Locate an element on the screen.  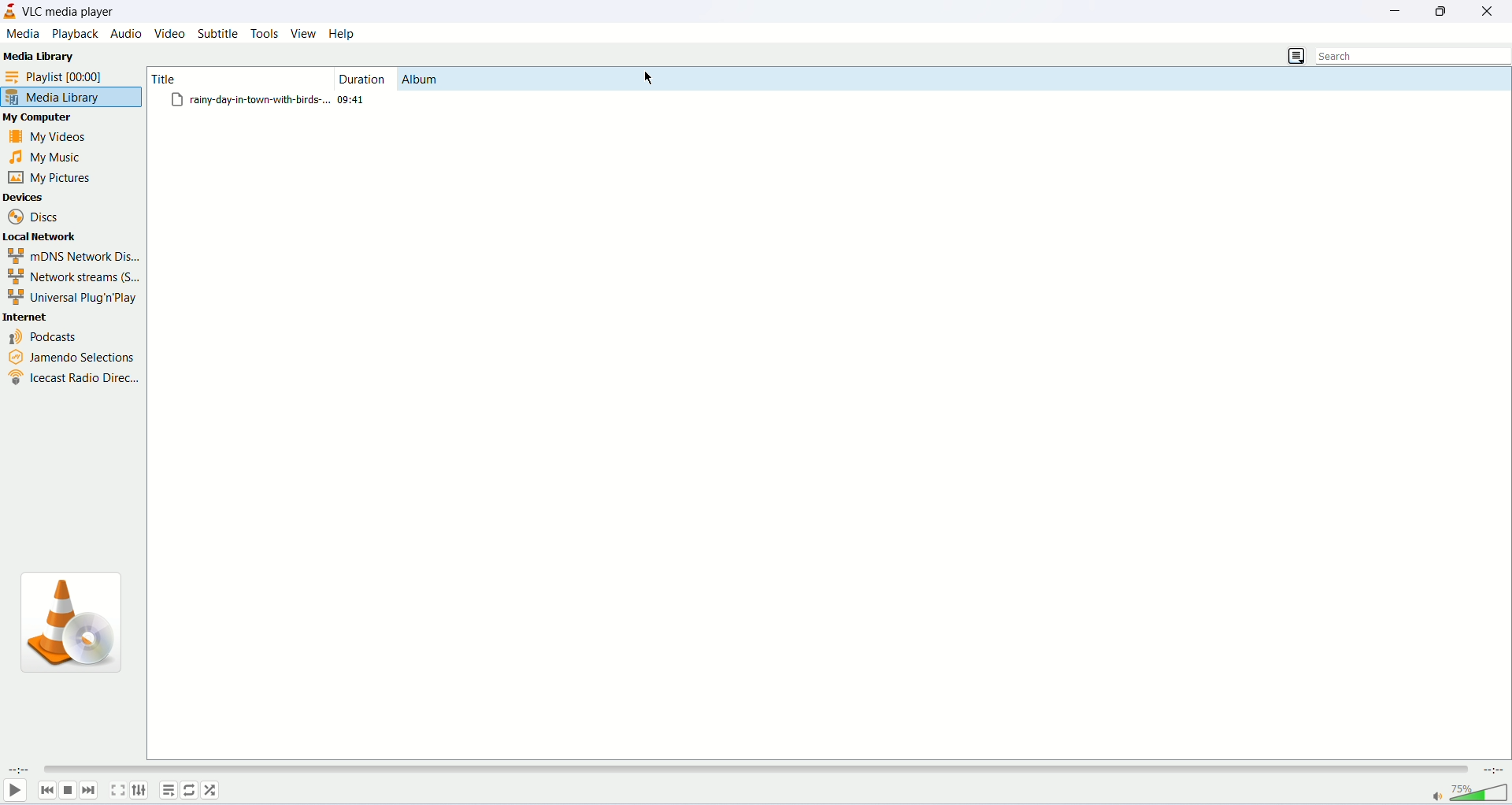
remaining time is located at coordinates (1496, 770).